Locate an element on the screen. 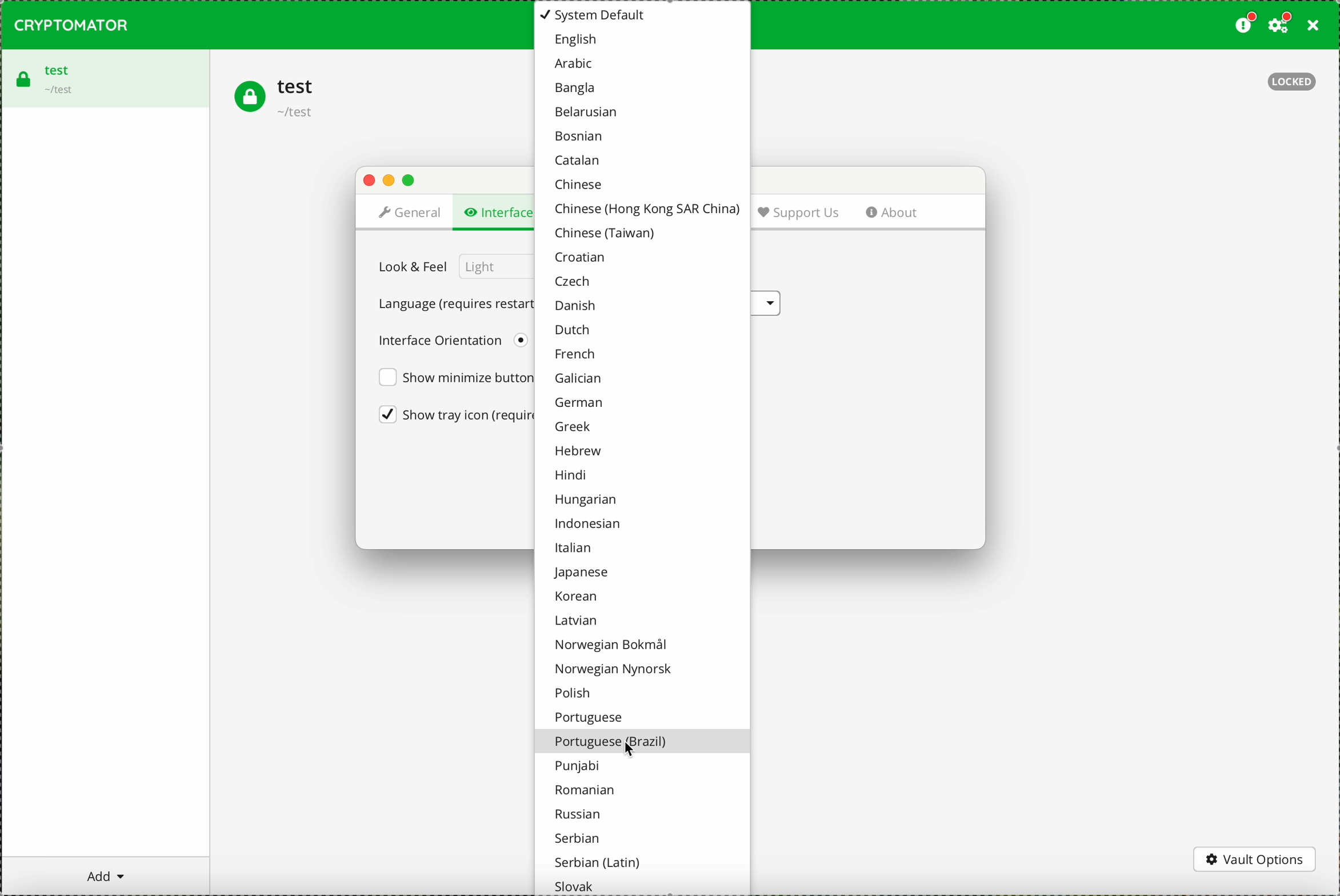 This screenshot has width=1340, height=896. light is located at coordinates (495, 266).